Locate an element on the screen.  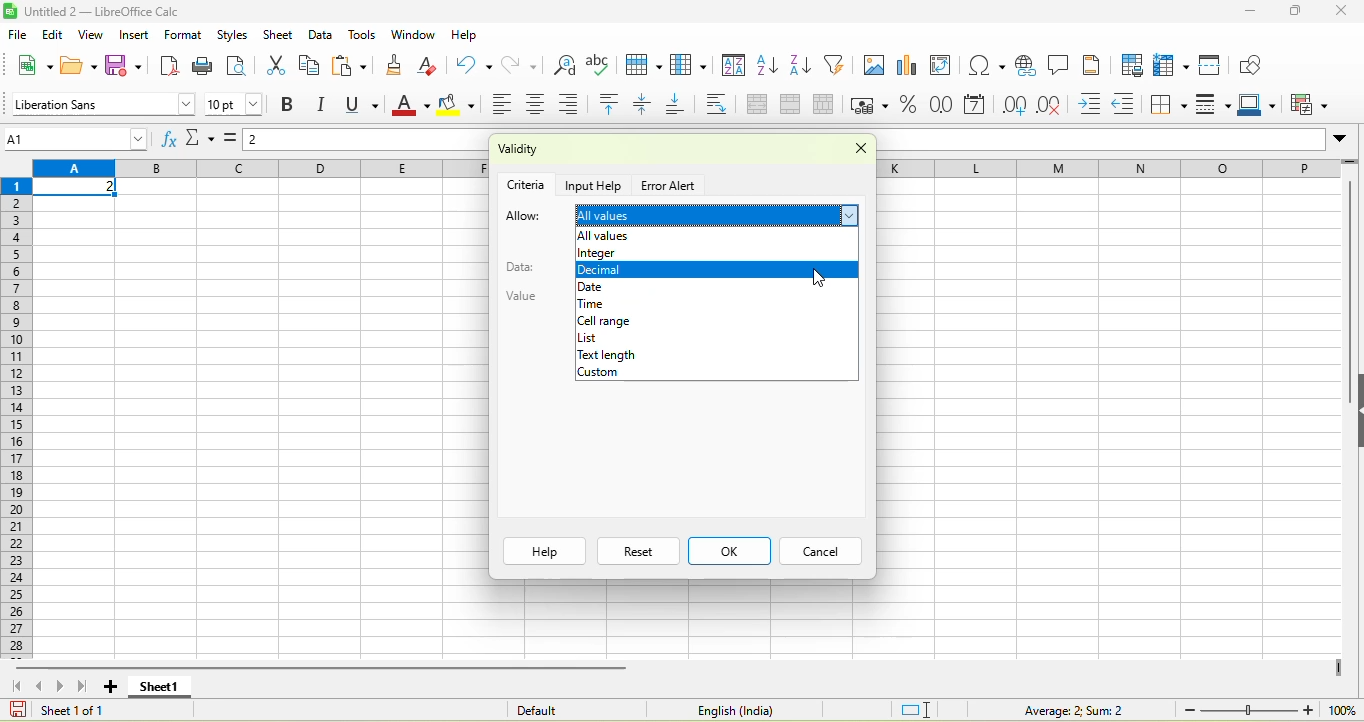
cell range is located at coordinates (715, 322).